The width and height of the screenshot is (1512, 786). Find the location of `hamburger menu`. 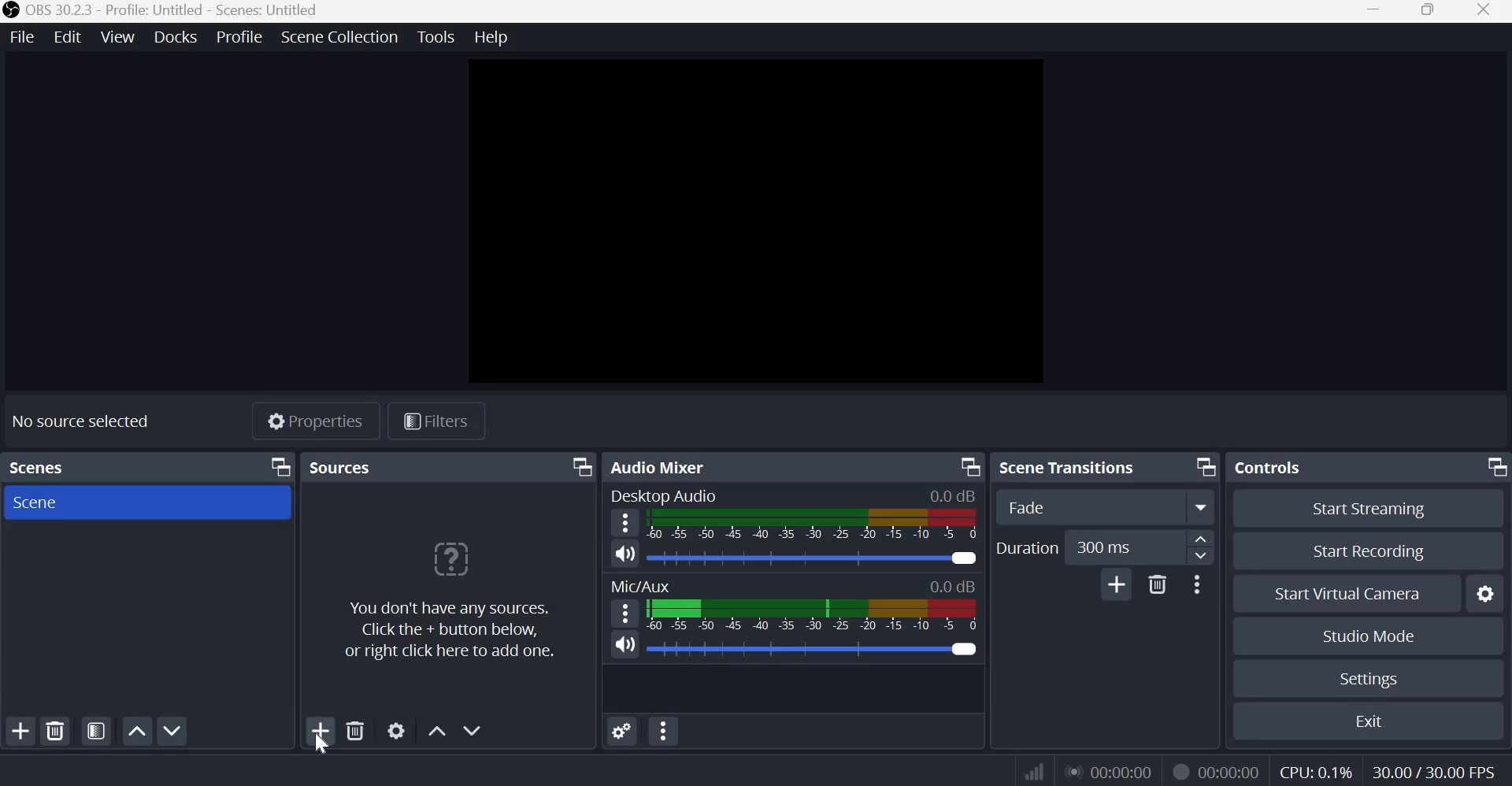

hamburger menu is located at coordinates (624, 523).